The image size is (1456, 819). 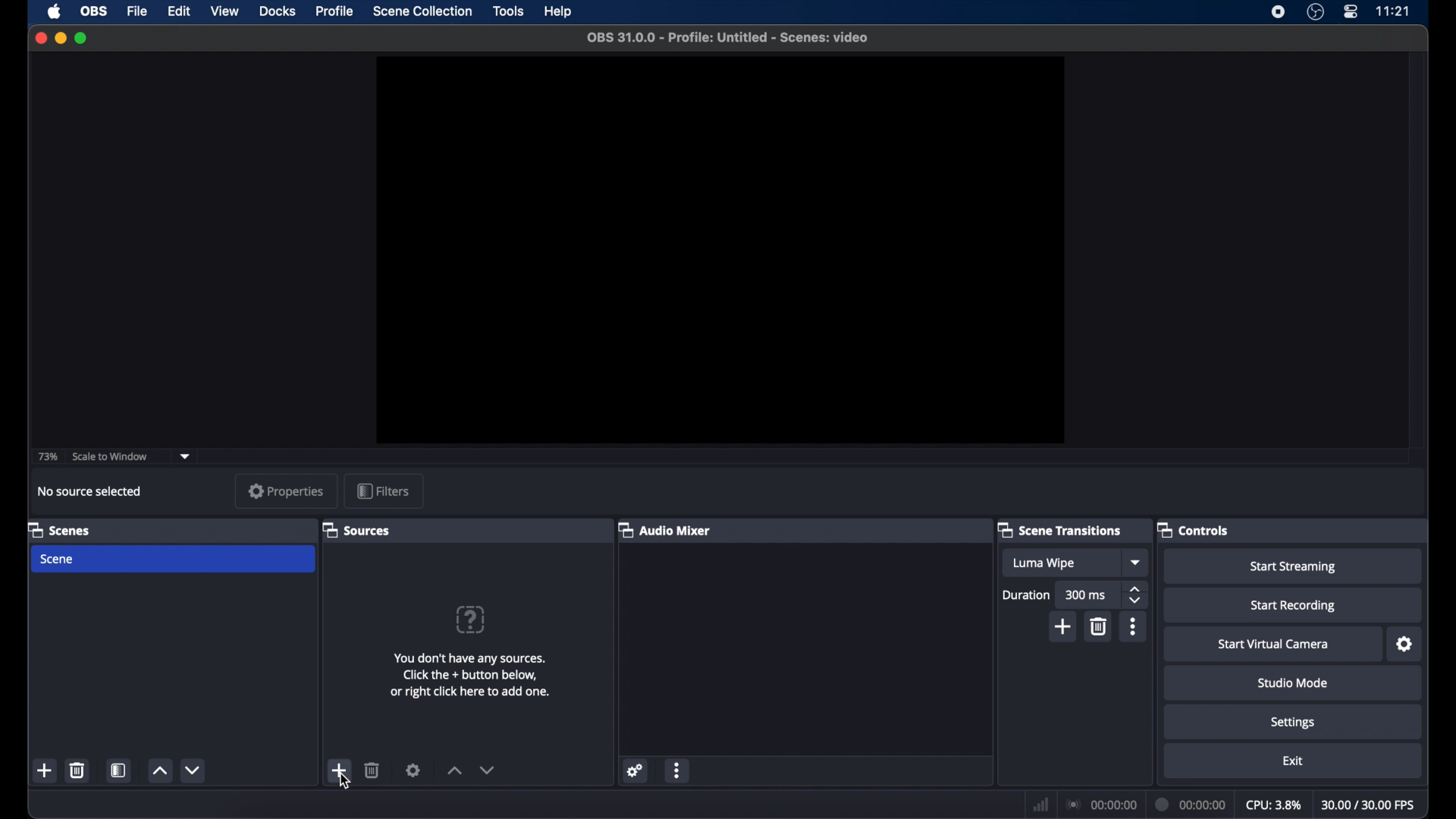 What do you see at coordinates (224, 10) in the screenshot?
I see `view` at bounding box center [224, 10].